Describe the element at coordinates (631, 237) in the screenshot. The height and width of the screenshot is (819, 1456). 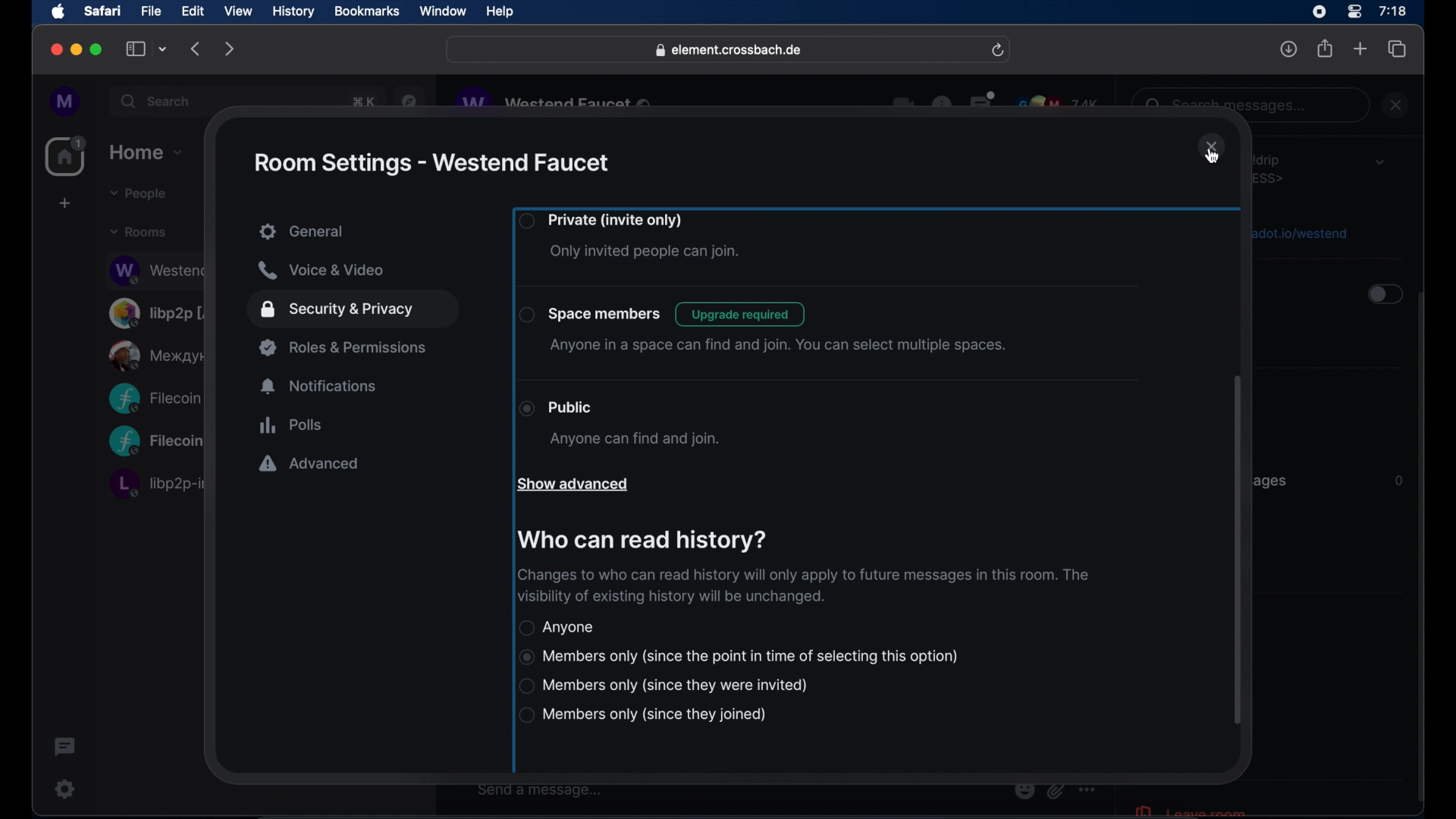
I see `private` at that location.